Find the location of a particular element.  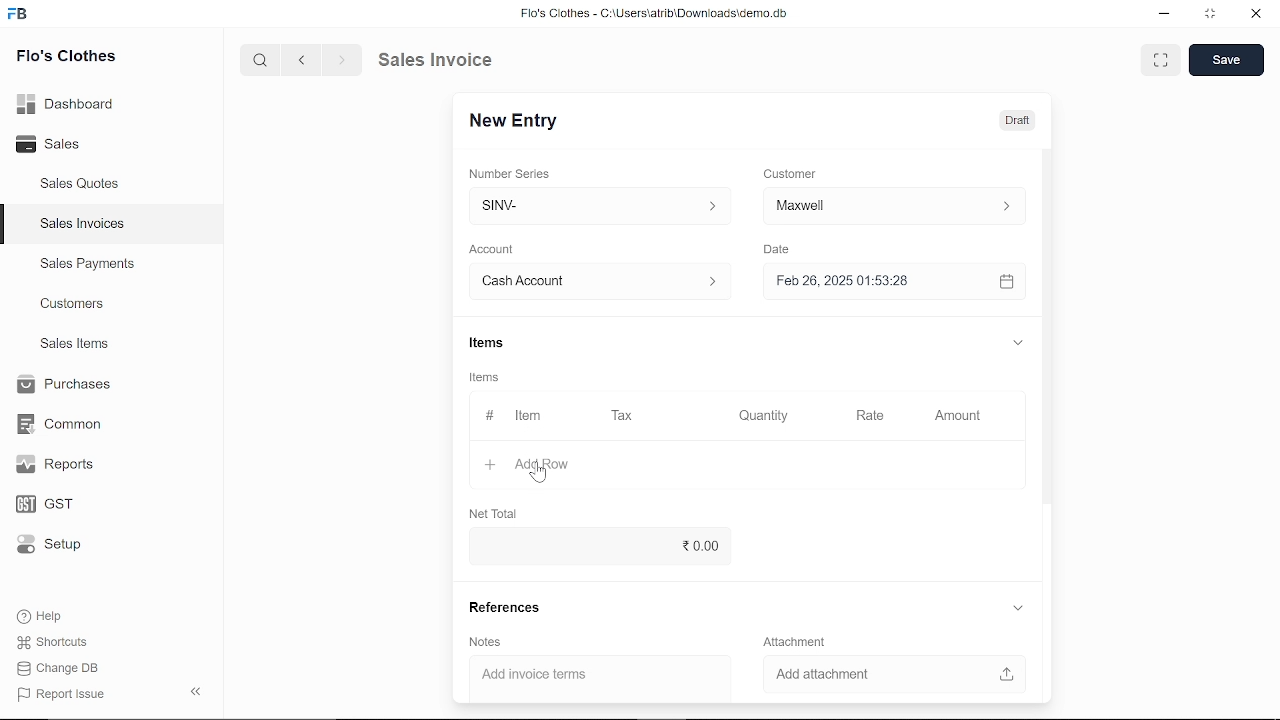

Amount is located at coordinates (958, 416).